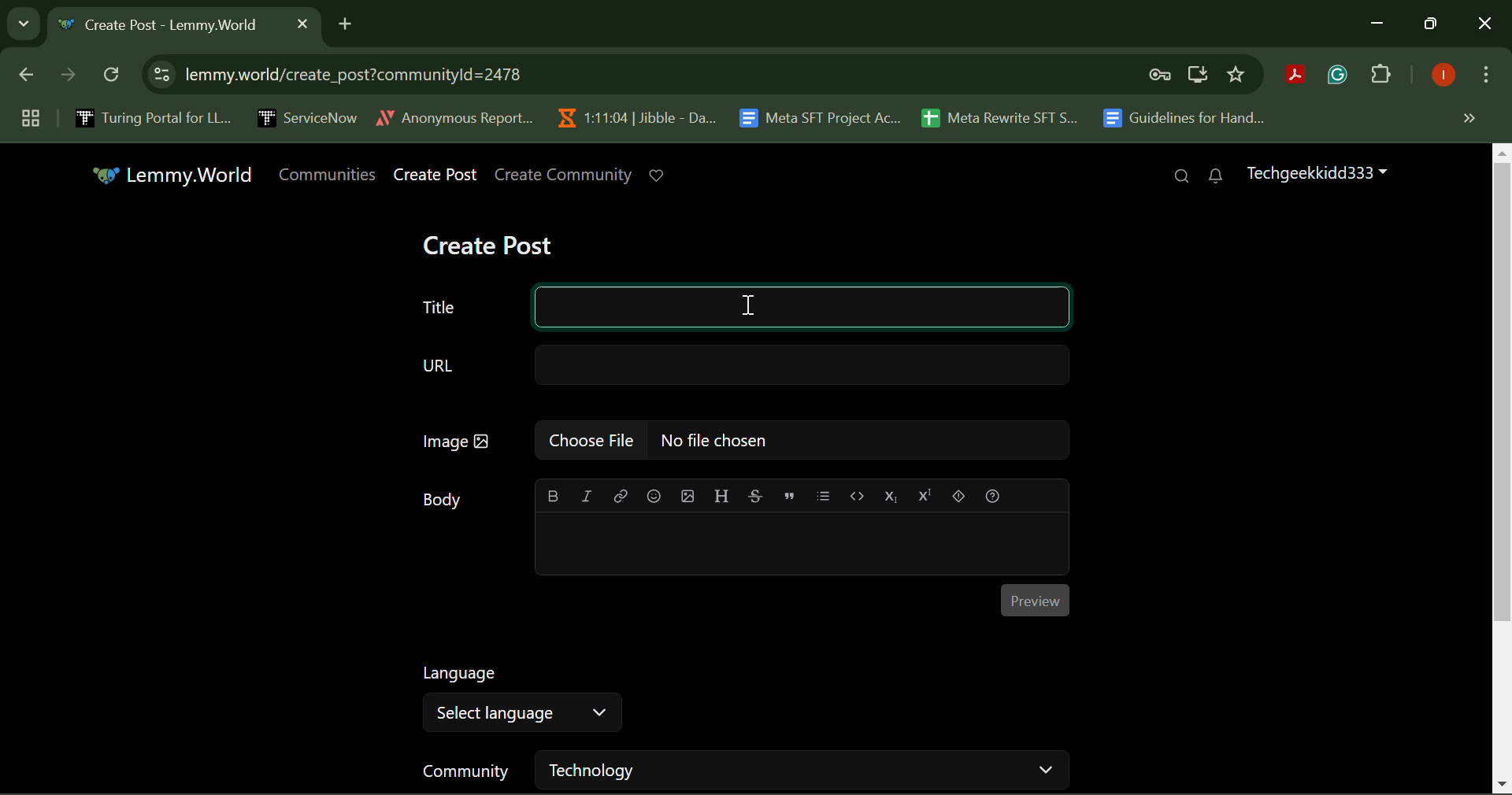  Describe the element at coordinates (688, 495) in the screenshot. I see `upload image` at that location.